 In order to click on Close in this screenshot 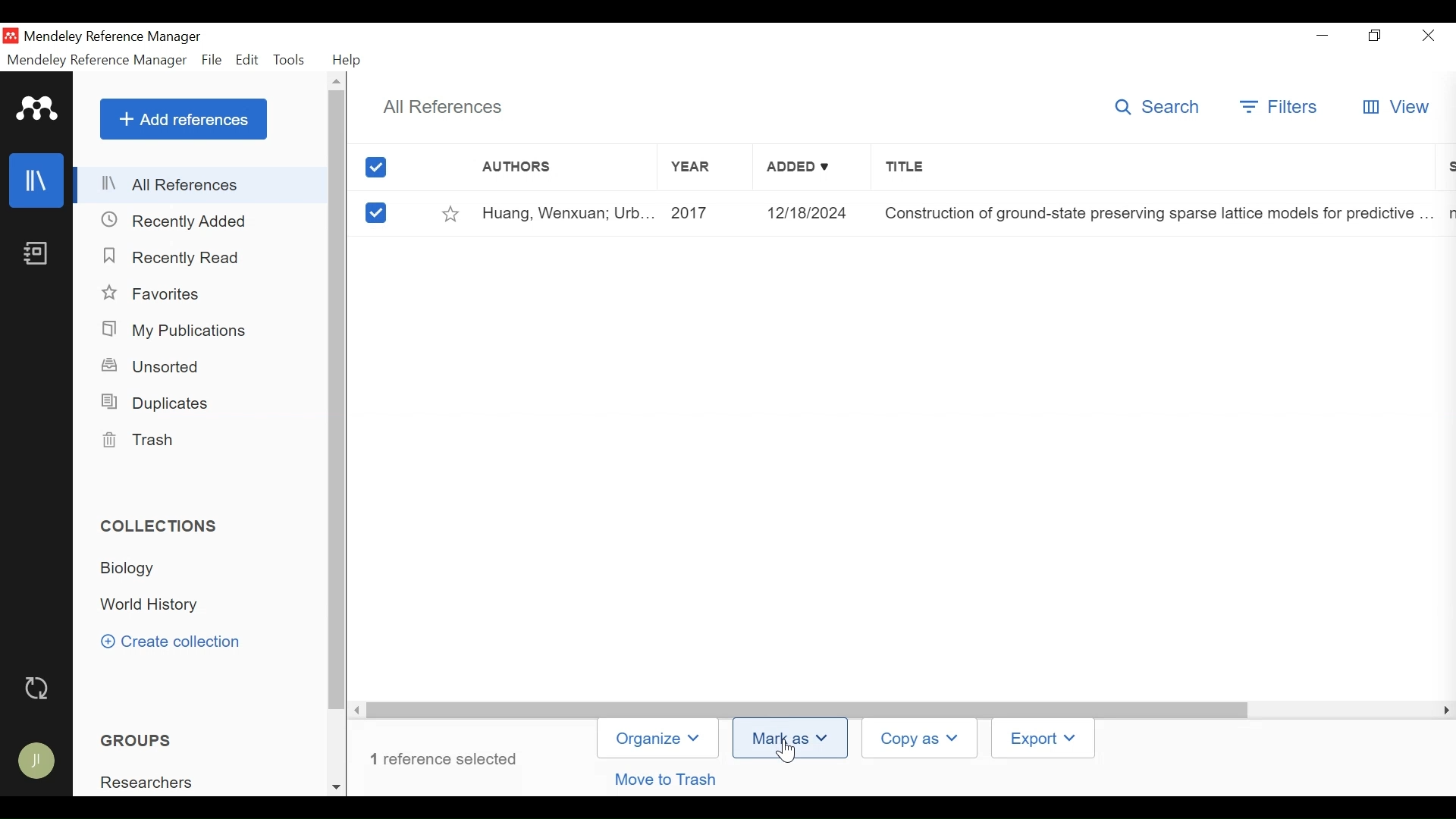, I will do `click(1429, 35)`.